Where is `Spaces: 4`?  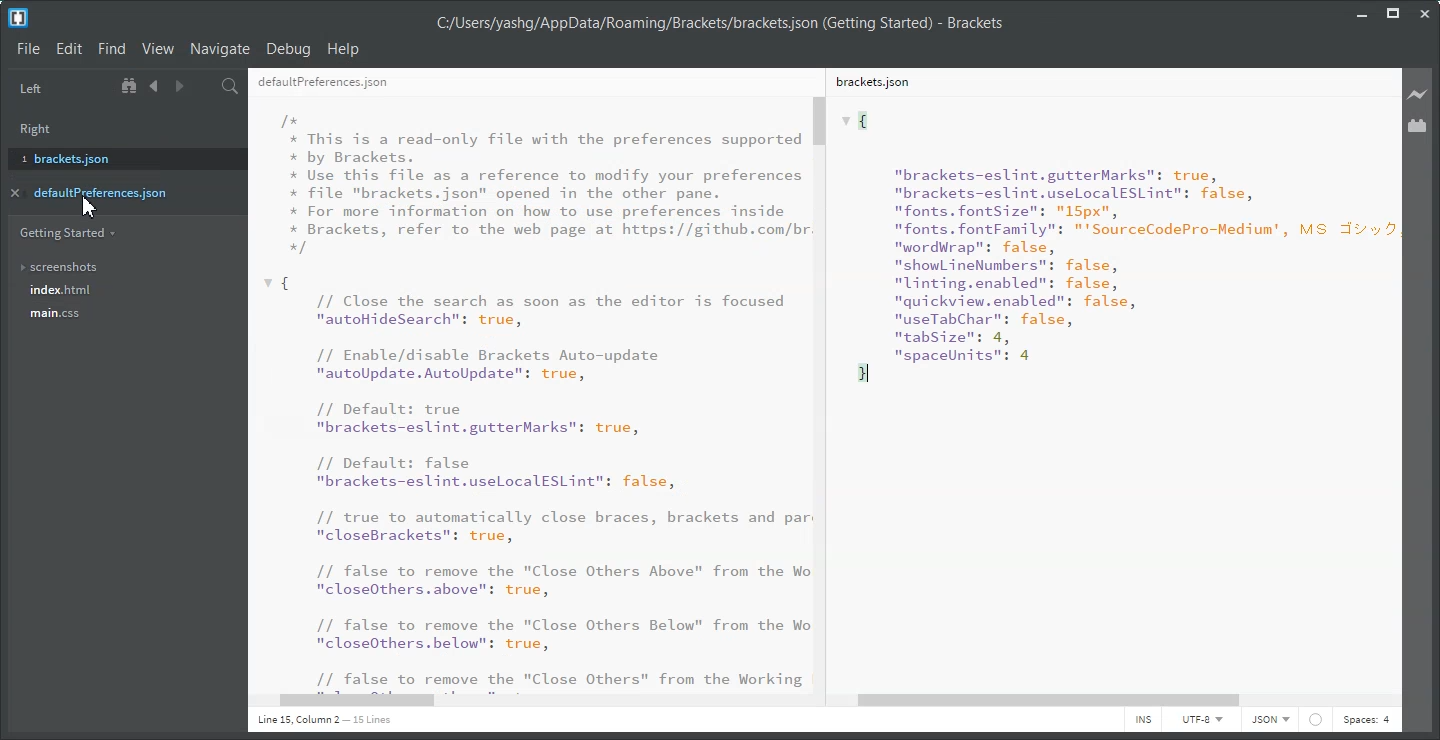 Spaces: 4 is located at coordinates (1366, 721).